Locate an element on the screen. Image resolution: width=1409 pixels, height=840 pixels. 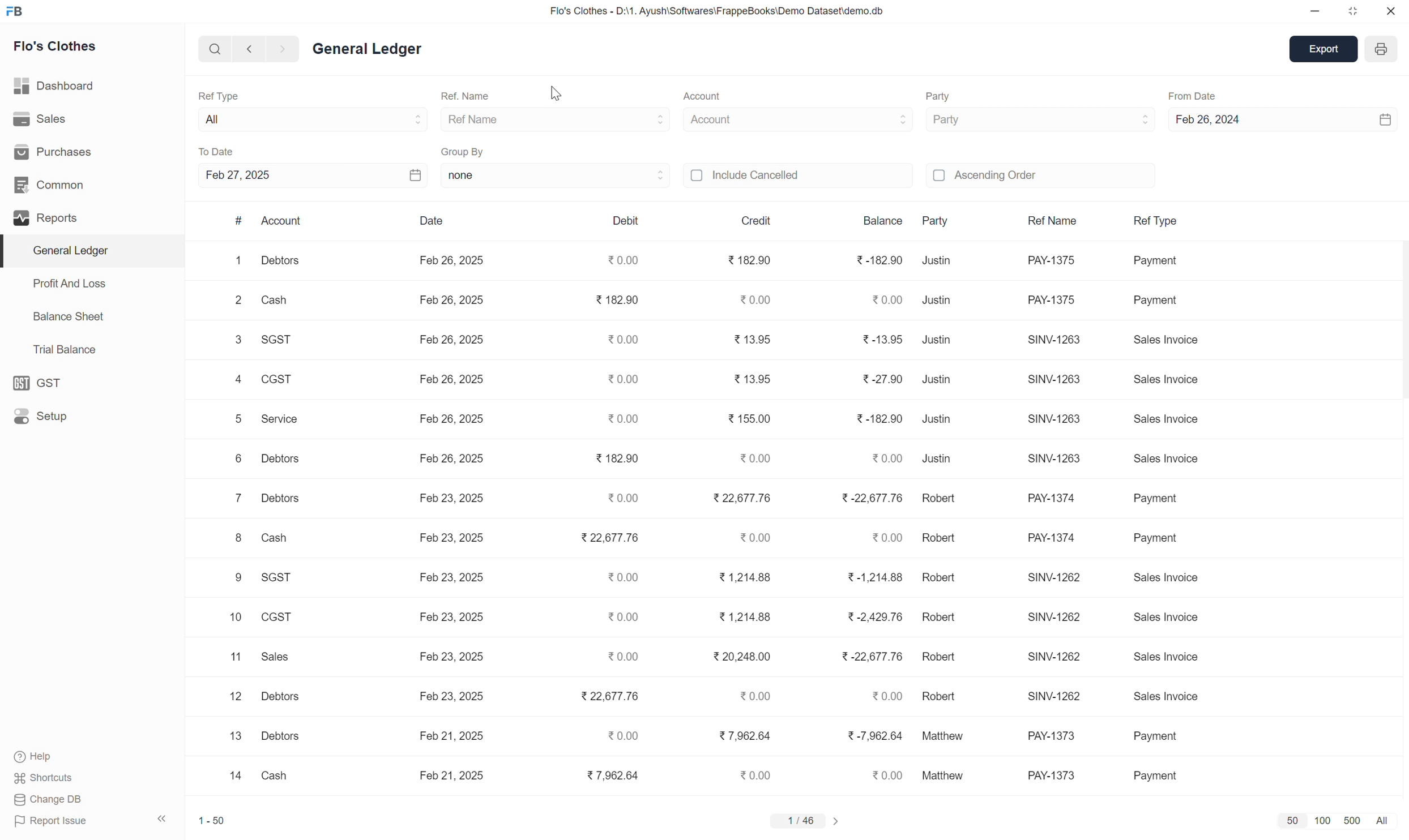
print is located at coordinates (1381, 48).